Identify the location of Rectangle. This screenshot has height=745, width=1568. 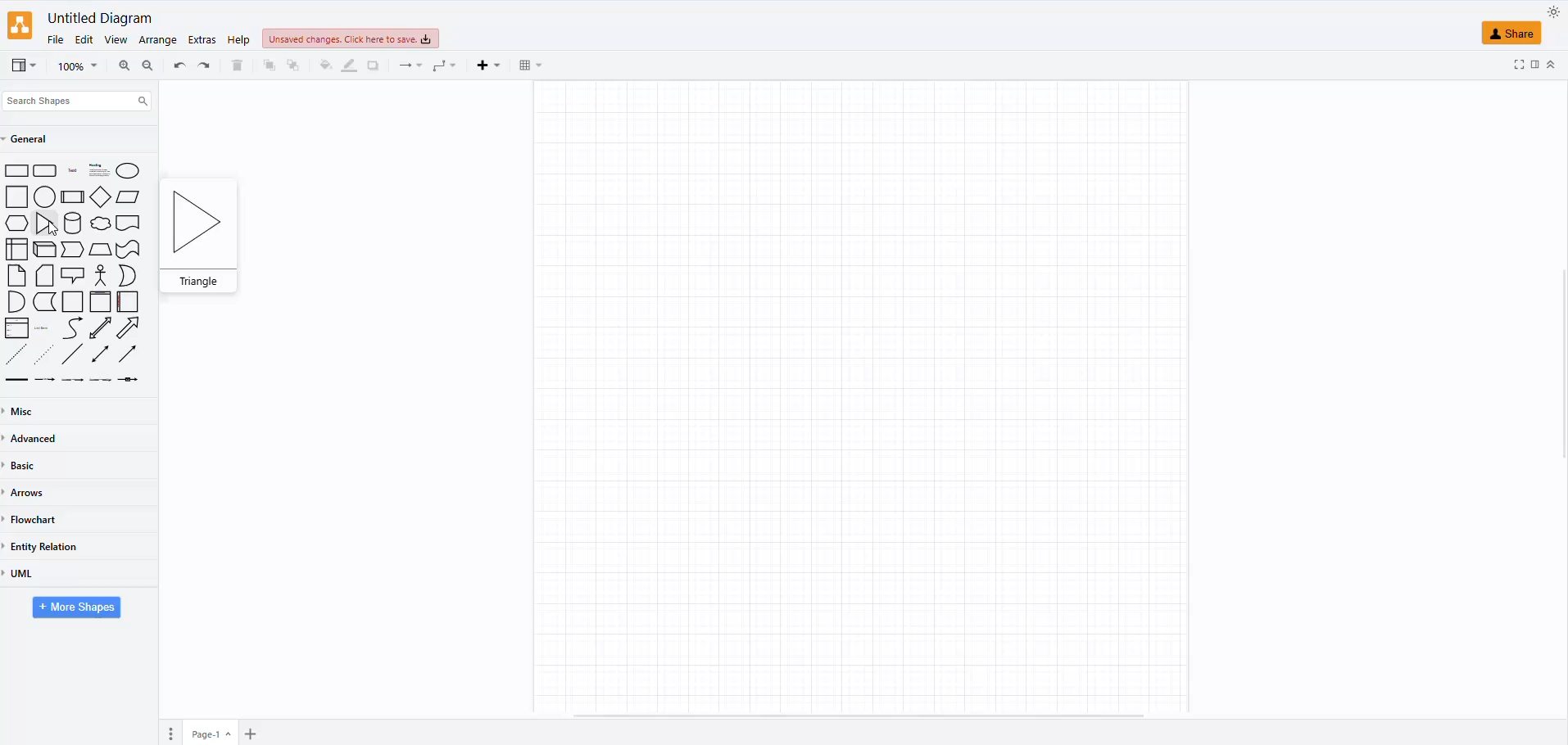
(17, 171).